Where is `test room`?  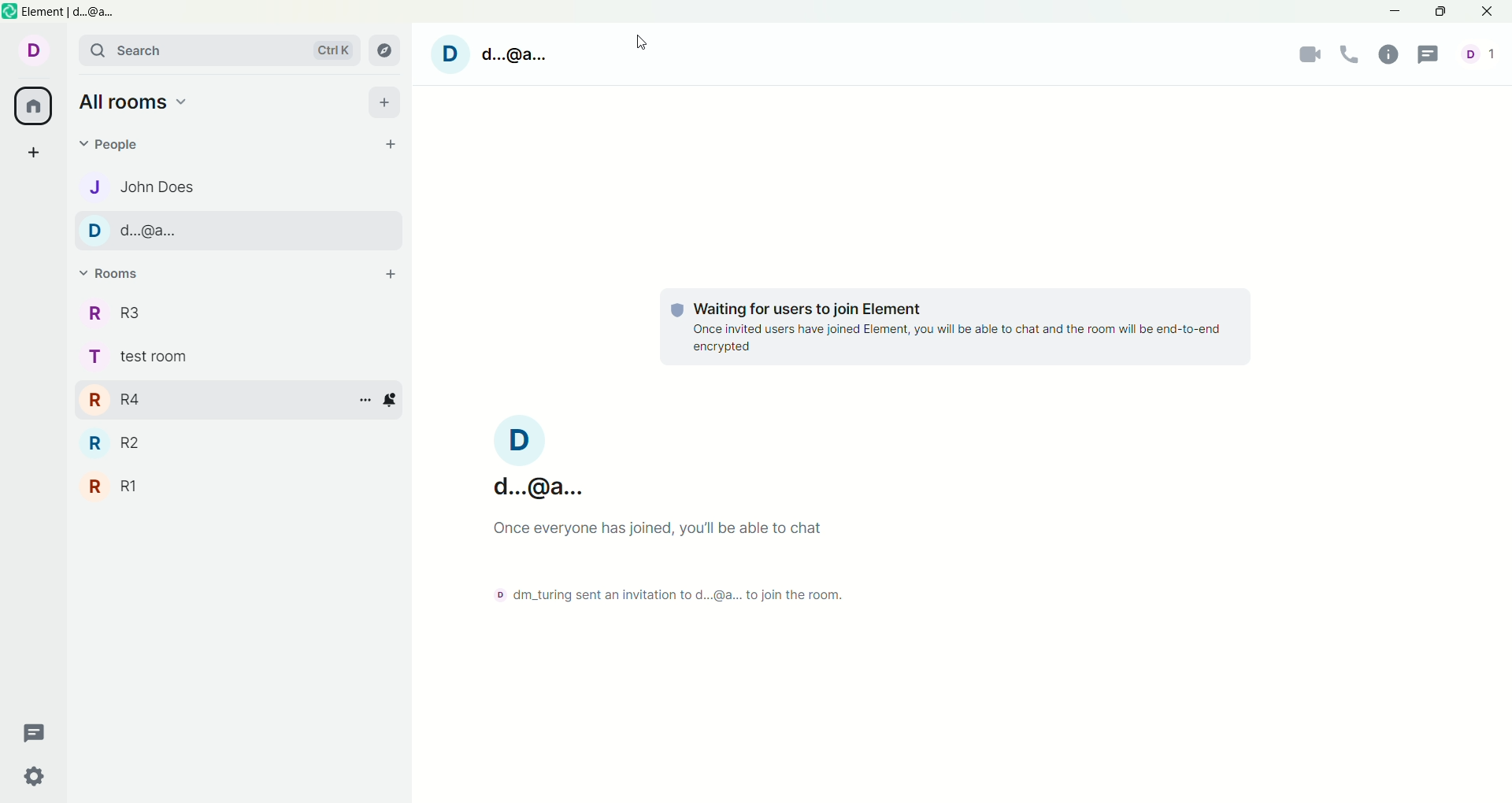
test room is located at coordinates (238, 356).